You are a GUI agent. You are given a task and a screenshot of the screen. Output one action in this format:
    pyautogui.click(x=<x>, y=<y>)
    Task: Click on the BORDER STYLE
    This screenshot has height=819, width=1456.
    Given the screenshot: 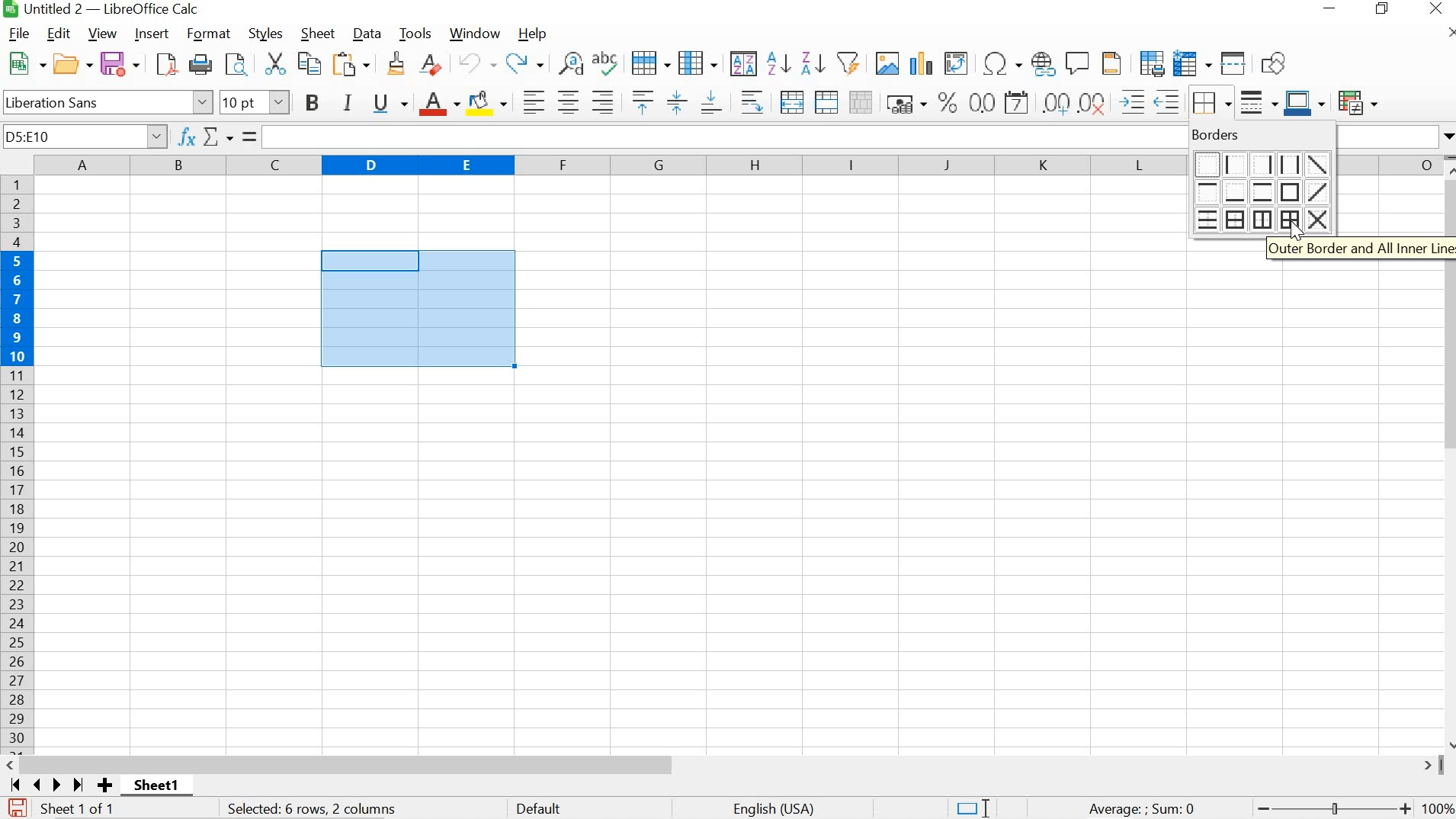 What is the action you would take?
    pyautogui.click(x=1259, y=104)
    